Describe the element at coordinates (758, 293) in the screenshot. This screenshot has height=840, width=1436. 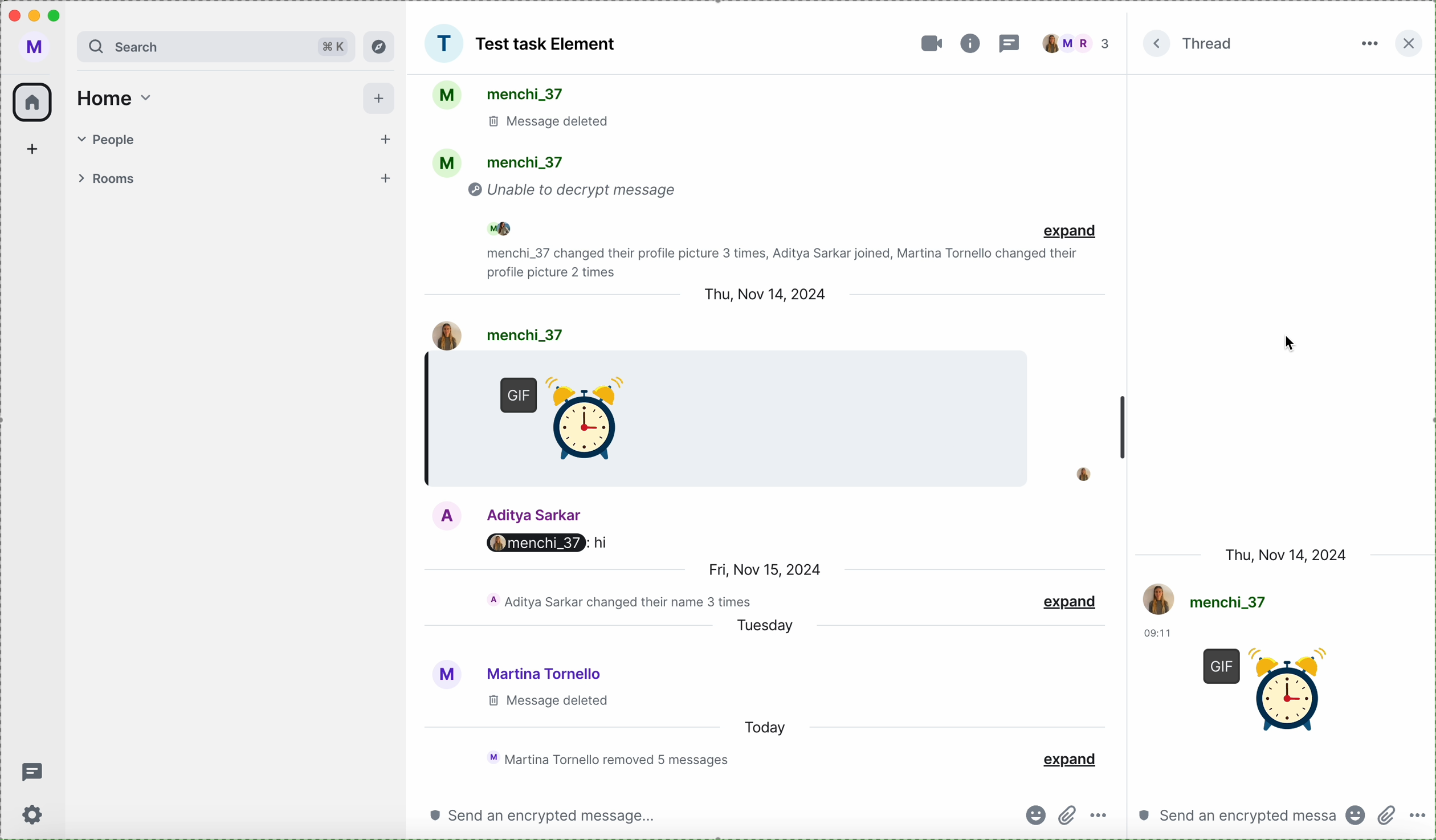
I see `date` at that location.